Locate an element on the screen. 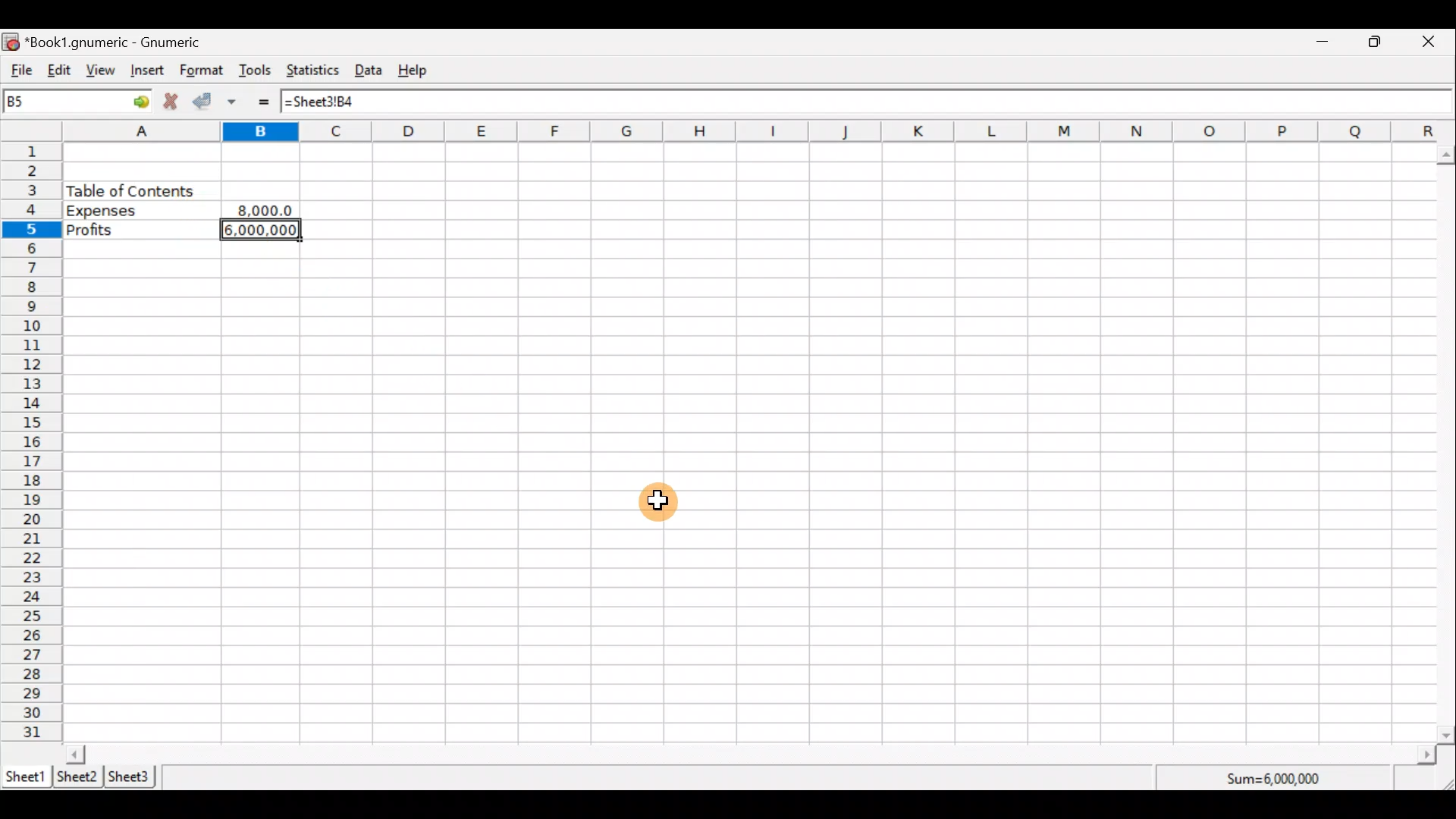  scroll down is located at coordinates (1447, 735).